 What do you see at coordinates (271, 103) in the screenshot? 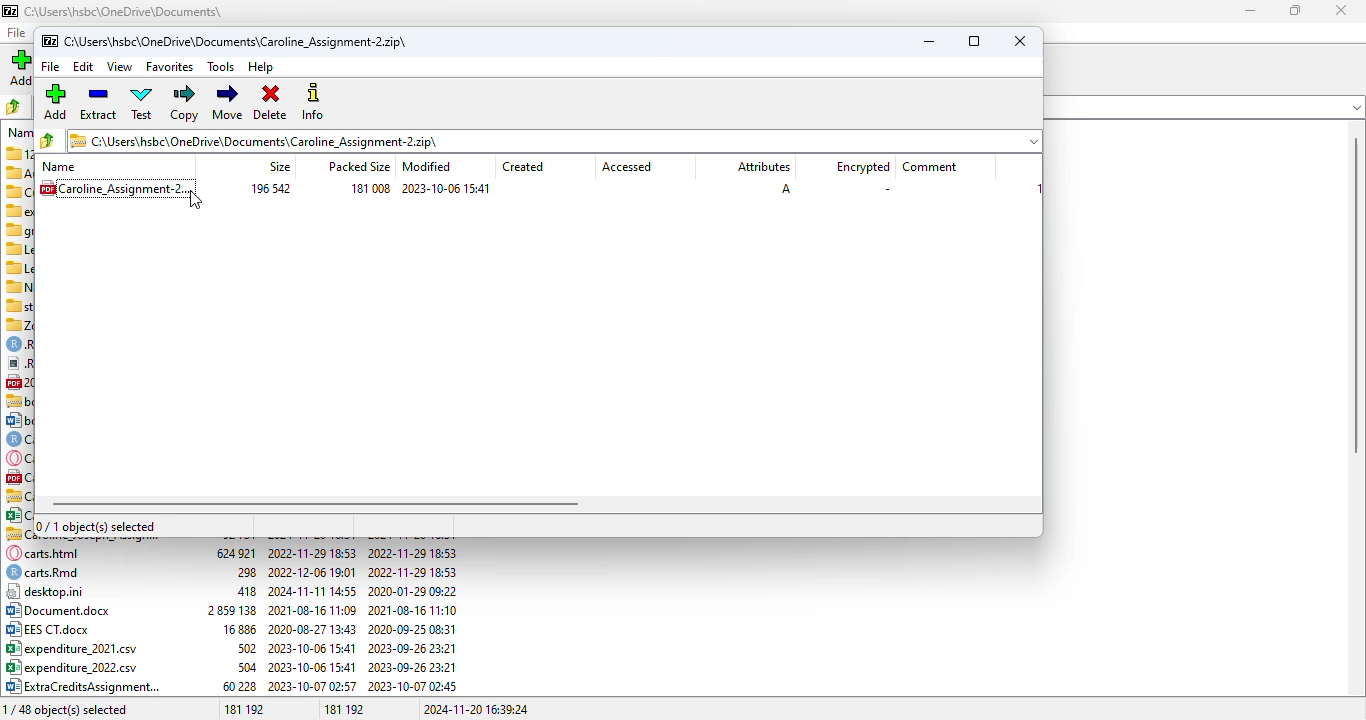
I see `delete` at bounding box center [271, 103].